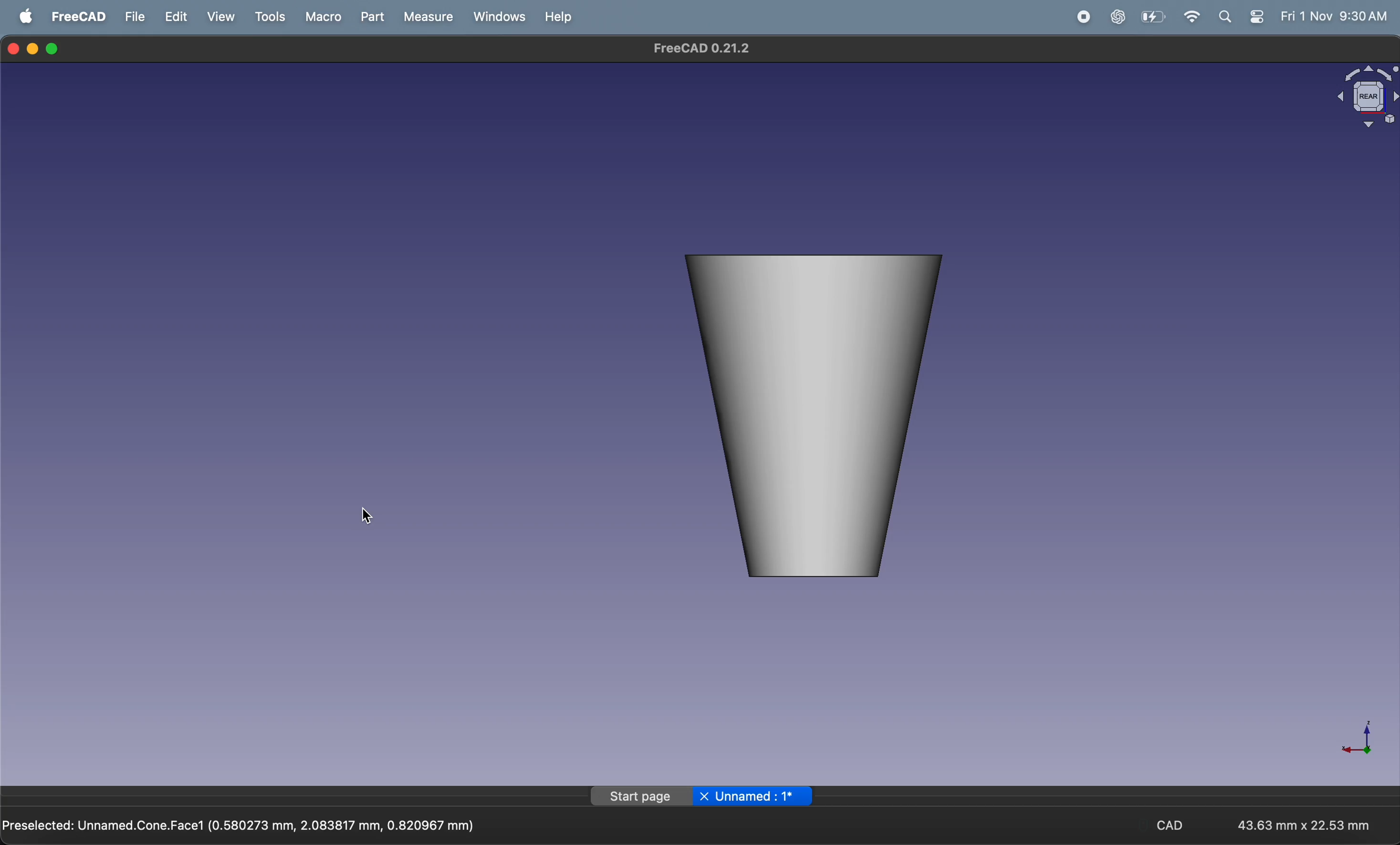 This screenshot has height=845, width=1400. What do you see at coordinates (1179, 824) in the screenshot?
I see `CAD` at bounding box center [1179, 824].